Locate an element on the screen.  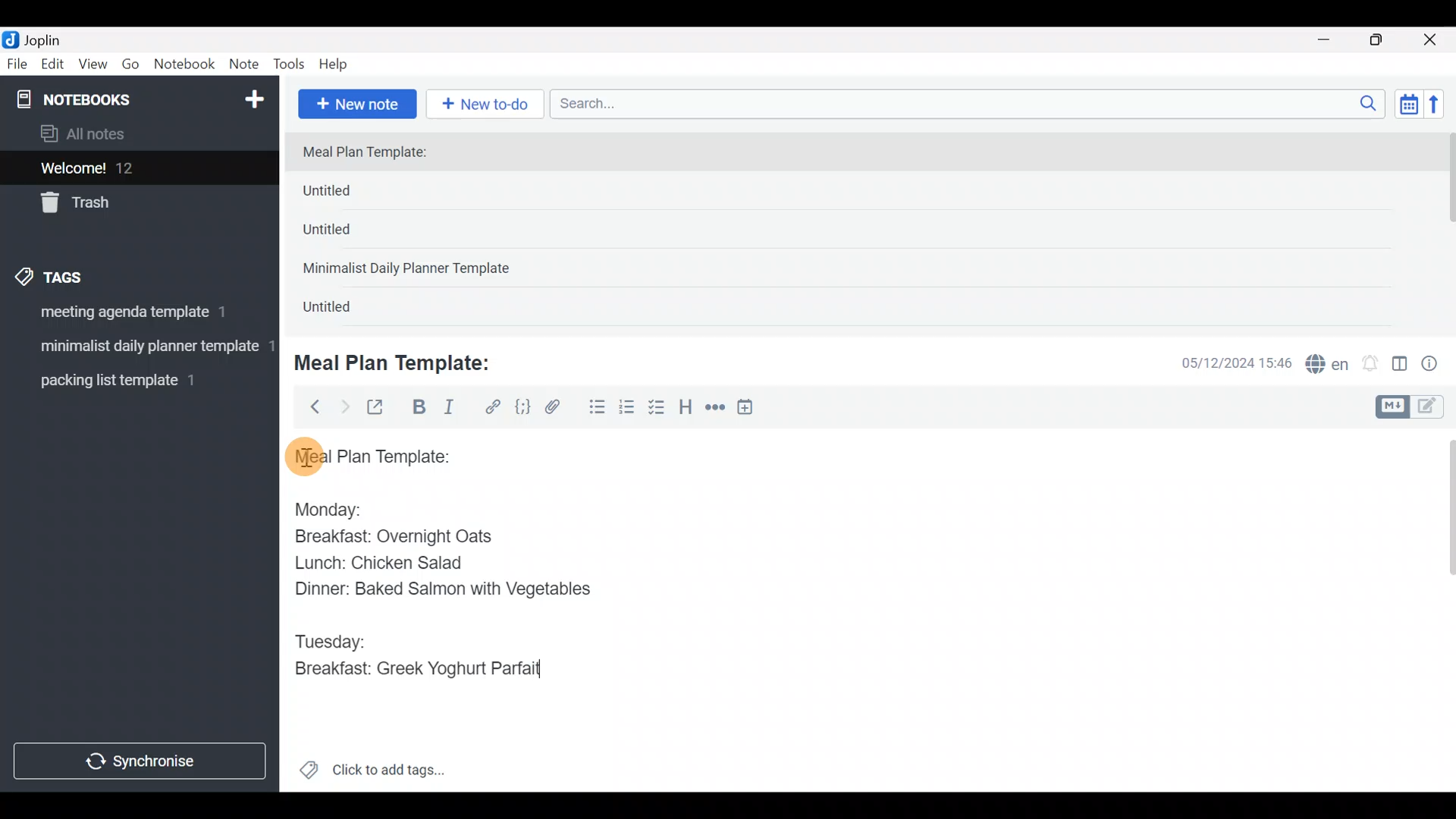
New to-do is located at coordinates (488, 105).